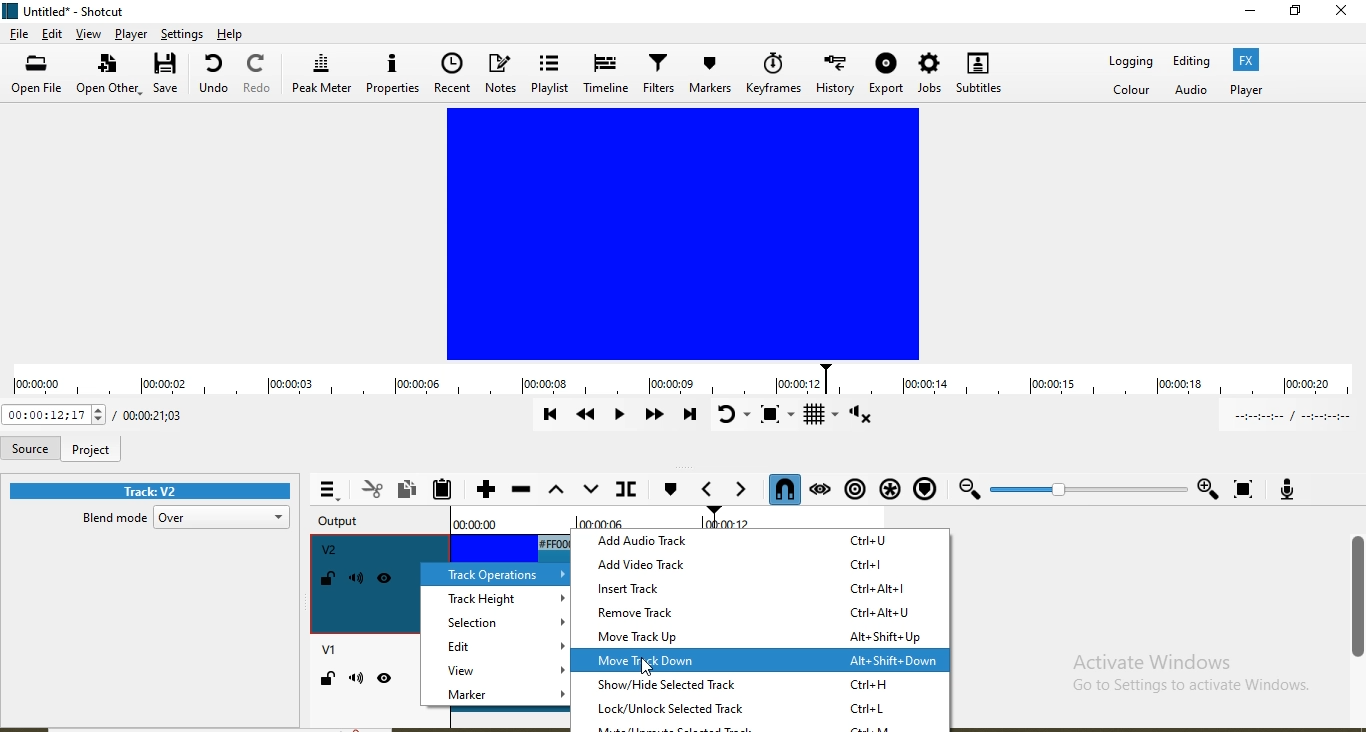  What do you see at coordinates (1190, 88) in the screenshot?
I see `Audio` at bounding box center [1190, 88].